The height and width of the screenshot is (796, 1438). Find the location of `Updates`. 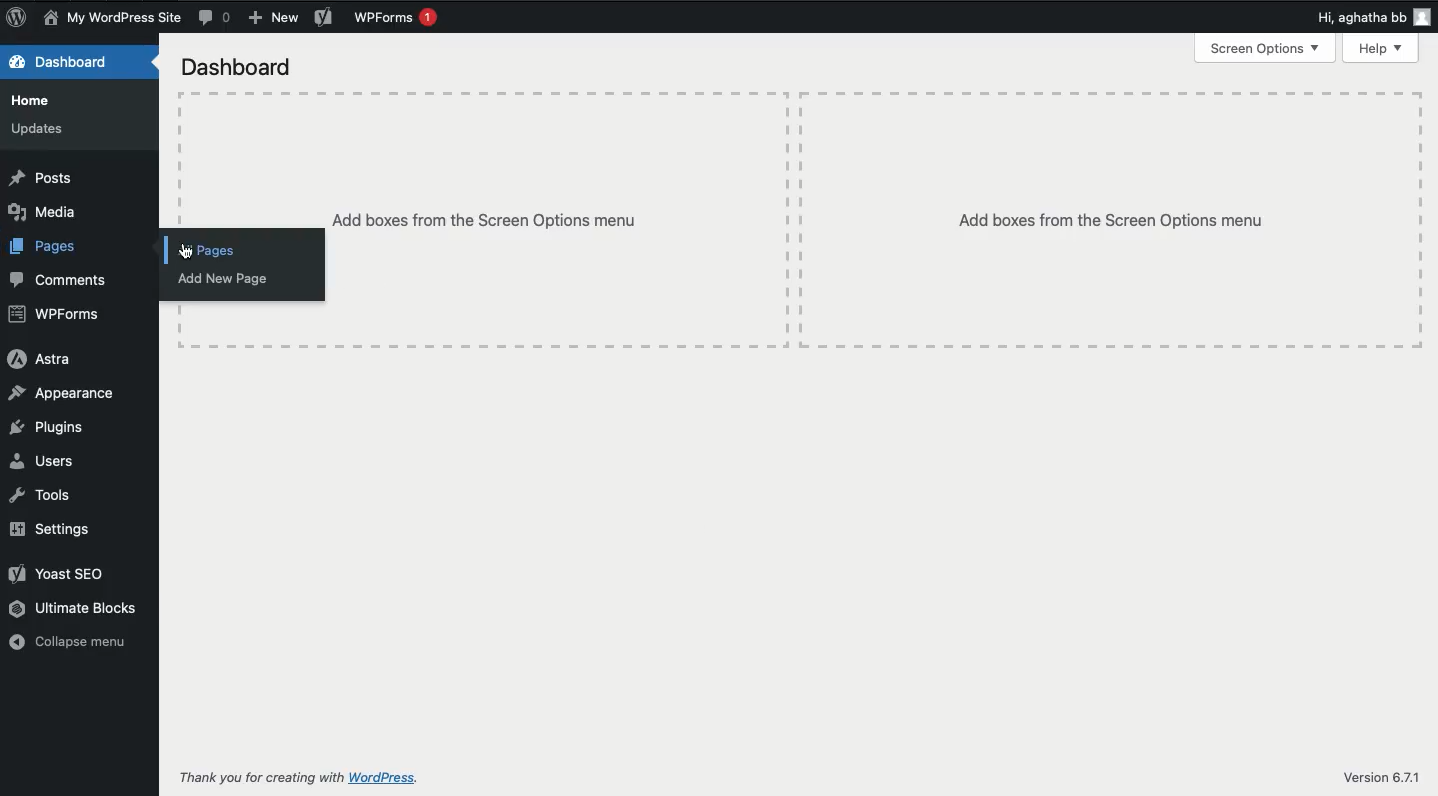

Updates is located at coordinates (39, 127).